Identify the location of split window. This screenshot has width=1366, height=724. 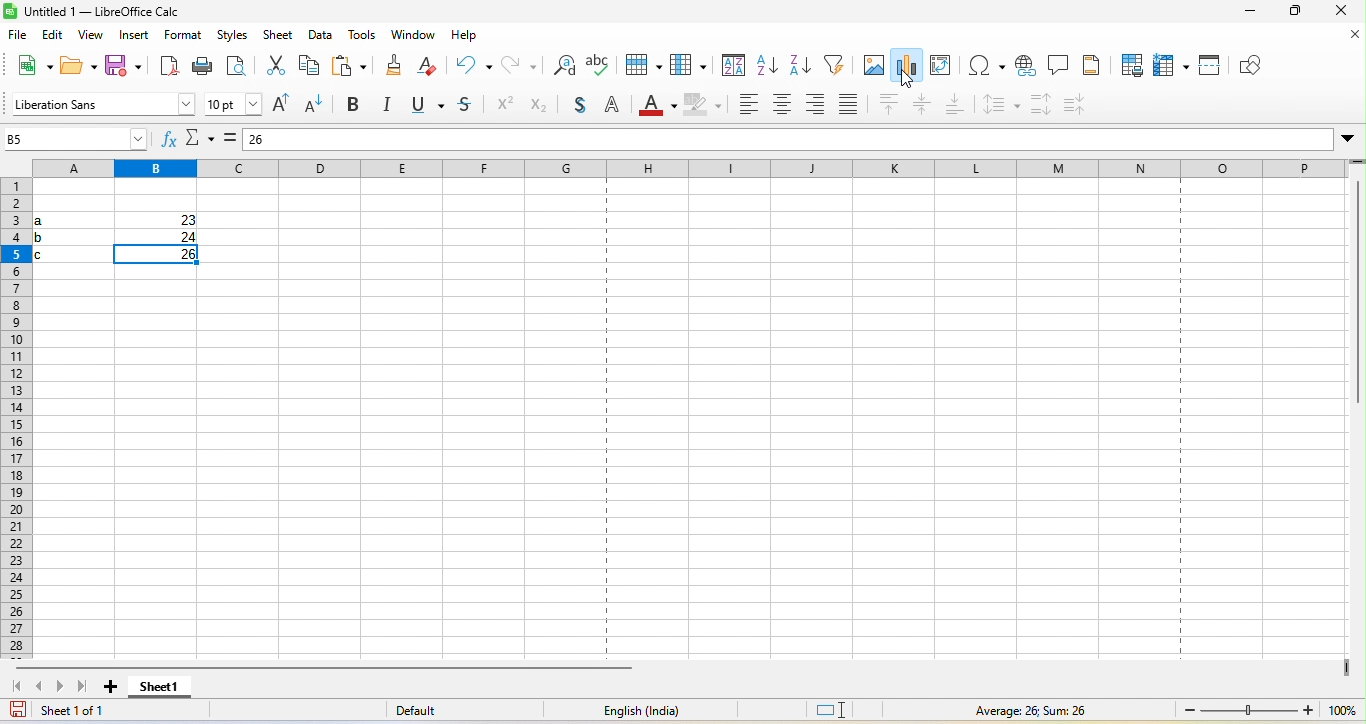
(1211, 65).